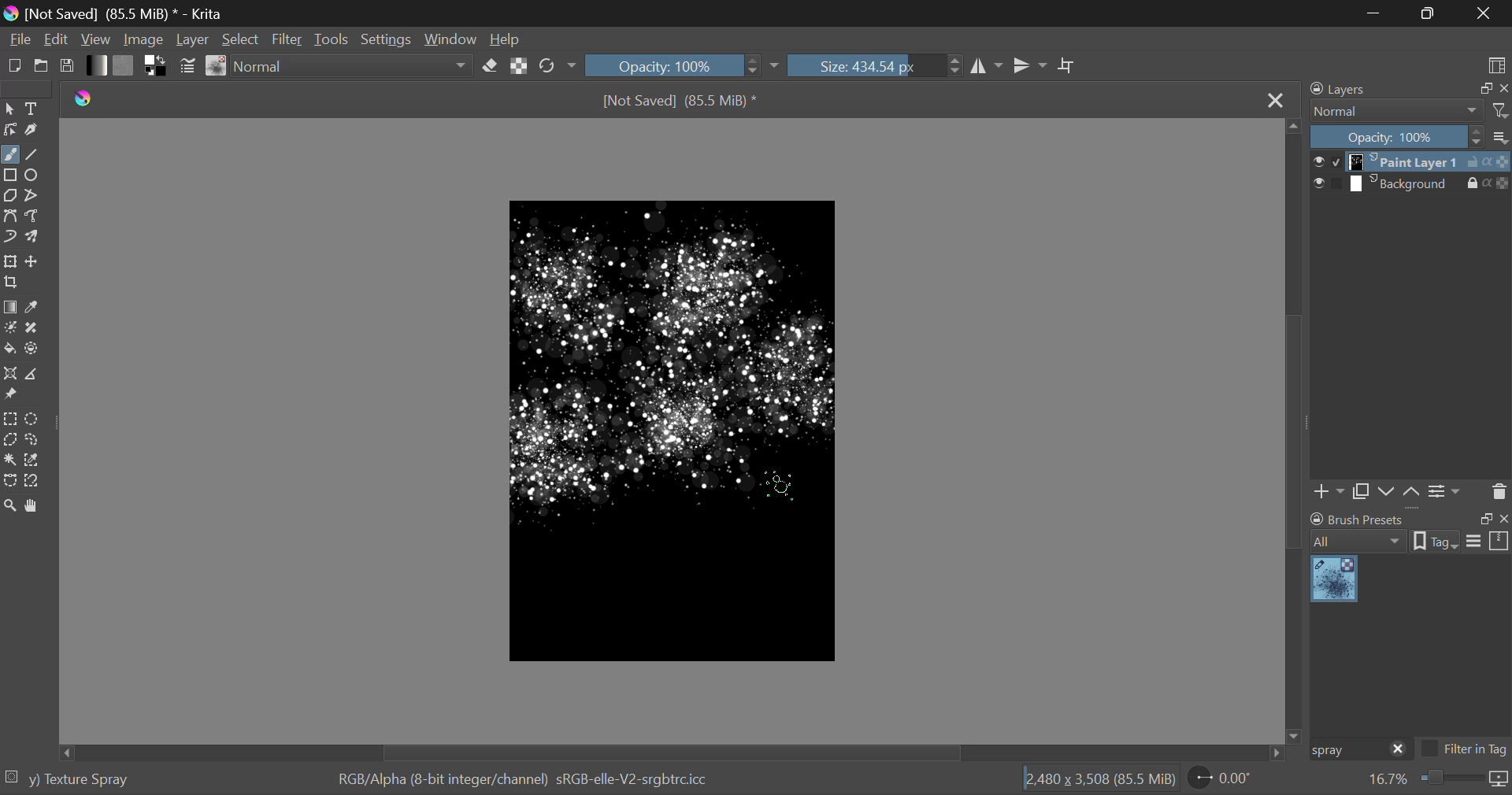 The height and width of the screenshot is (795, 1512). Describe the element at coordinates (37, 482) in the screenshot. I see `Magnetic Selection` at that location.